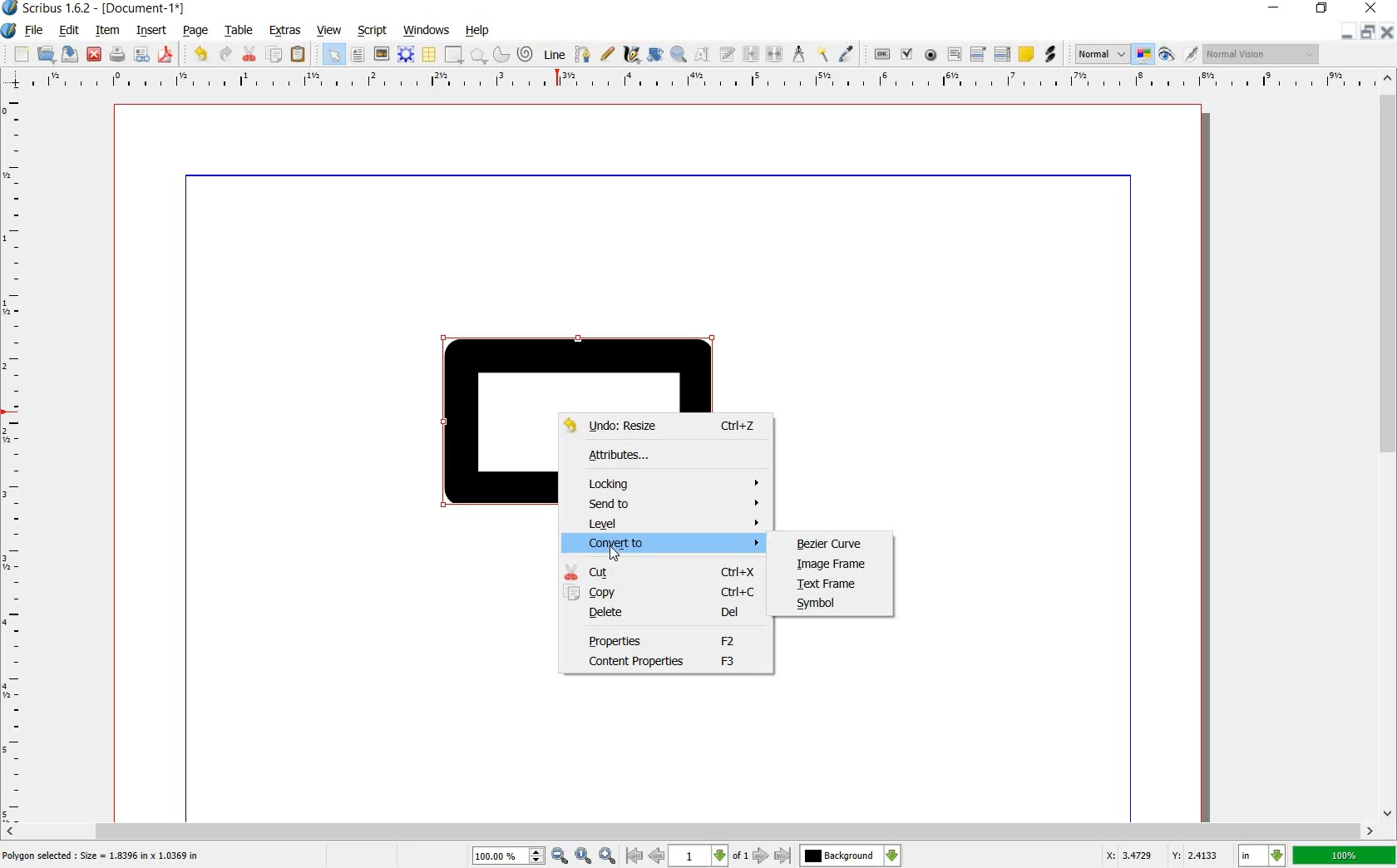 This screenshot has width=1397, height=868. What do you see at coordinates (634, 856) in the screenshot?
I see `go to antepenultimate page` at bounding box center [634, 856].